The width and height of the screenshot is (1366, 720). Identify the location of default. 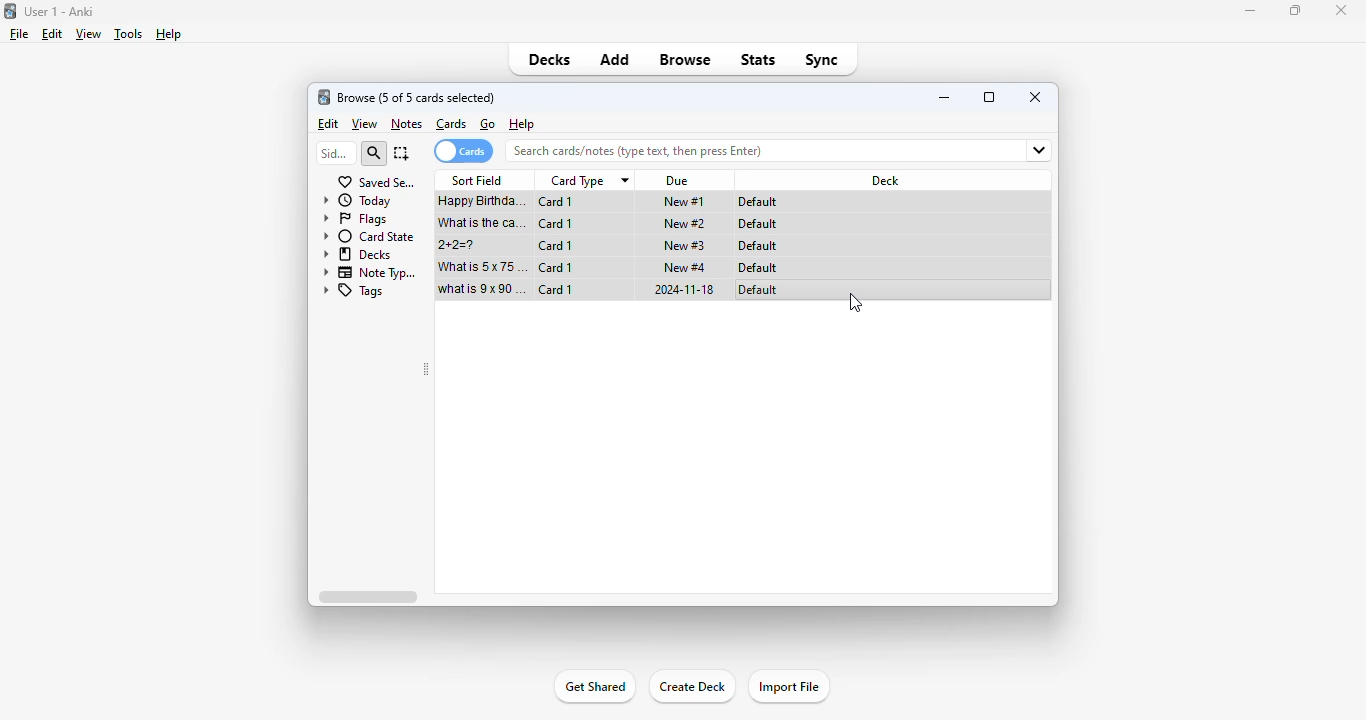
(760, 202).